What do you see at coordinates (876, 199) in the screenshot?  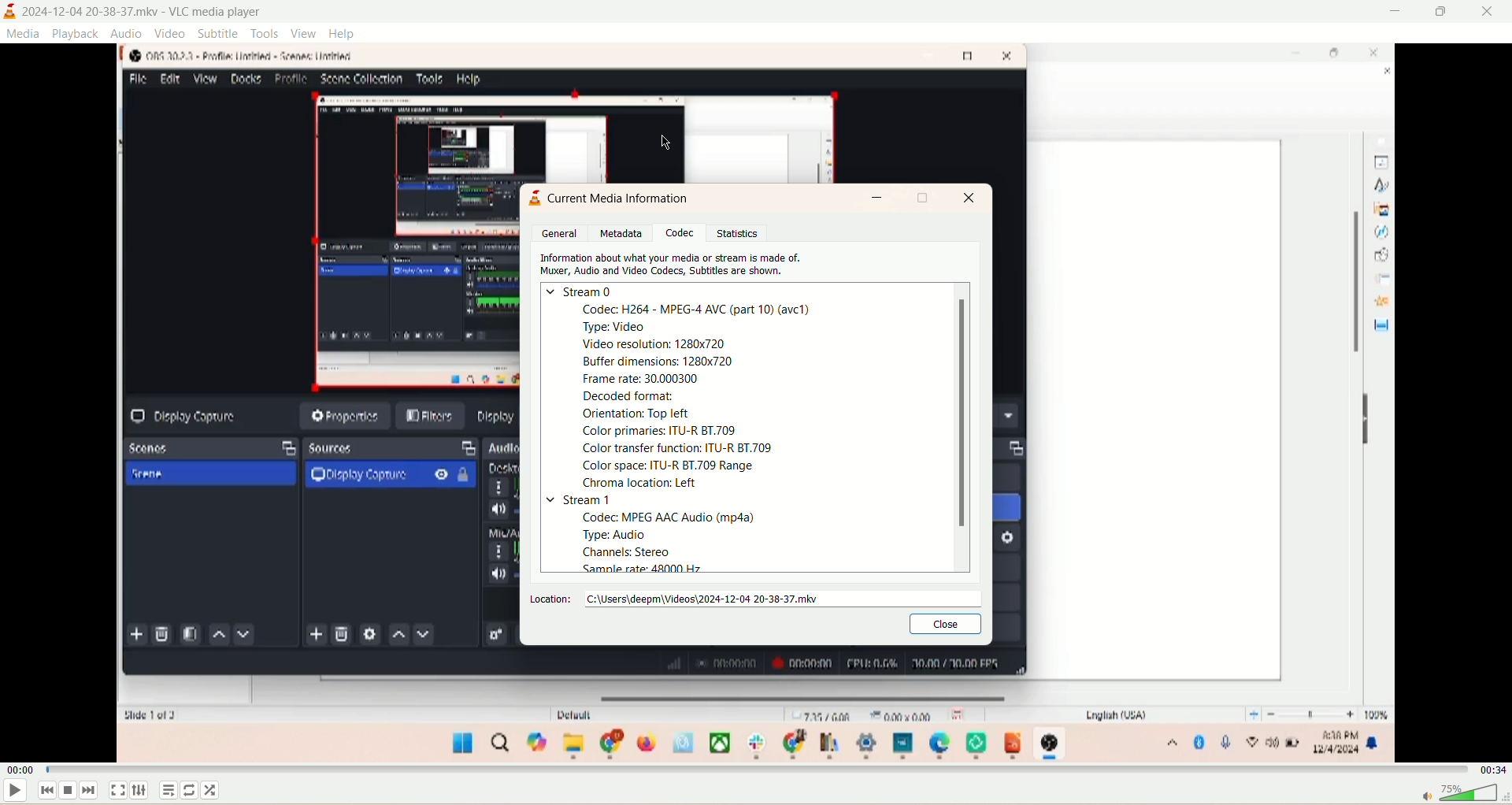 I see `minimize` at bounding box center [876, 199].